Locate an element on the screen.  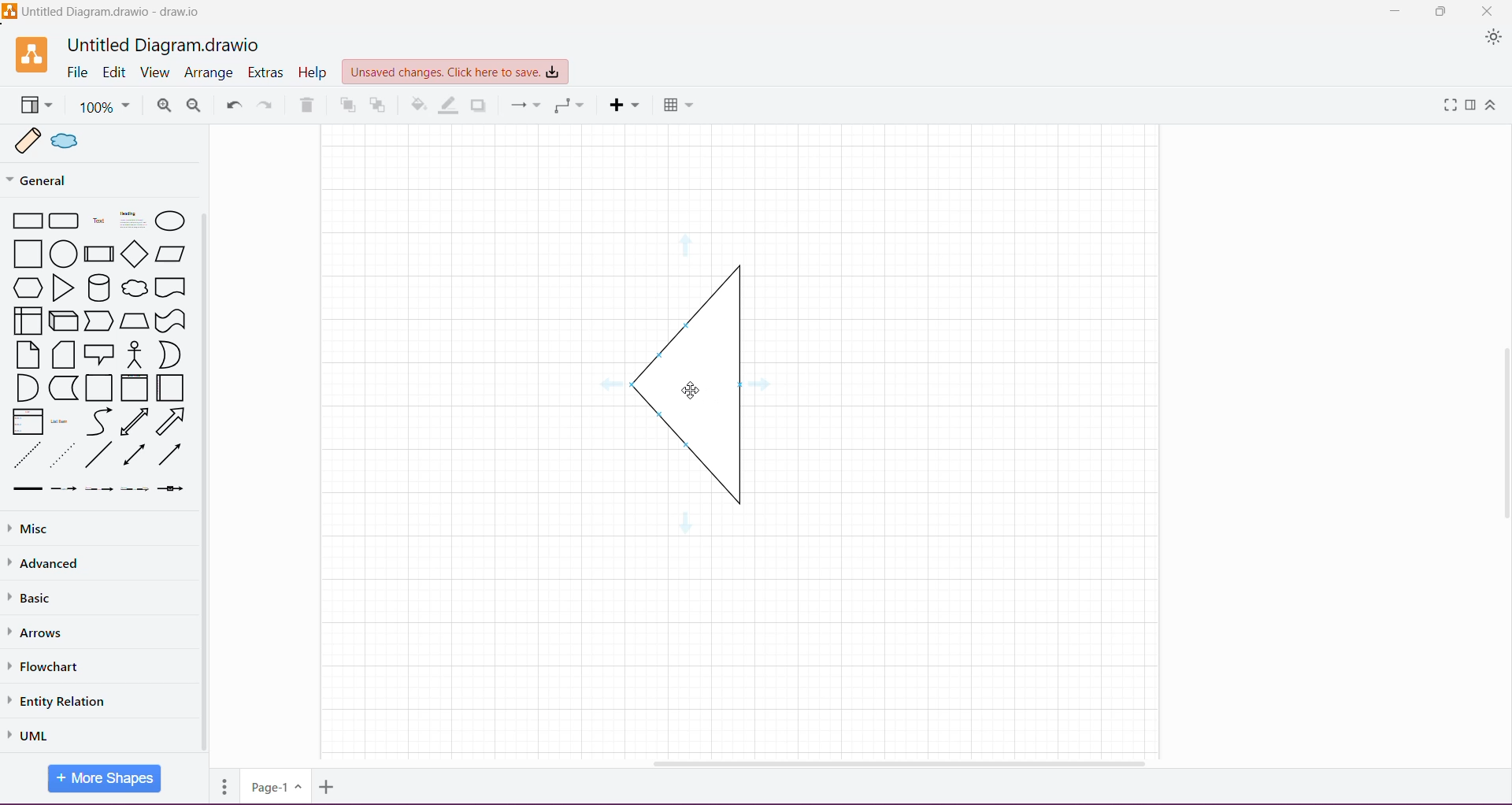
Fullscreen is located at coordinates (1451, 106).